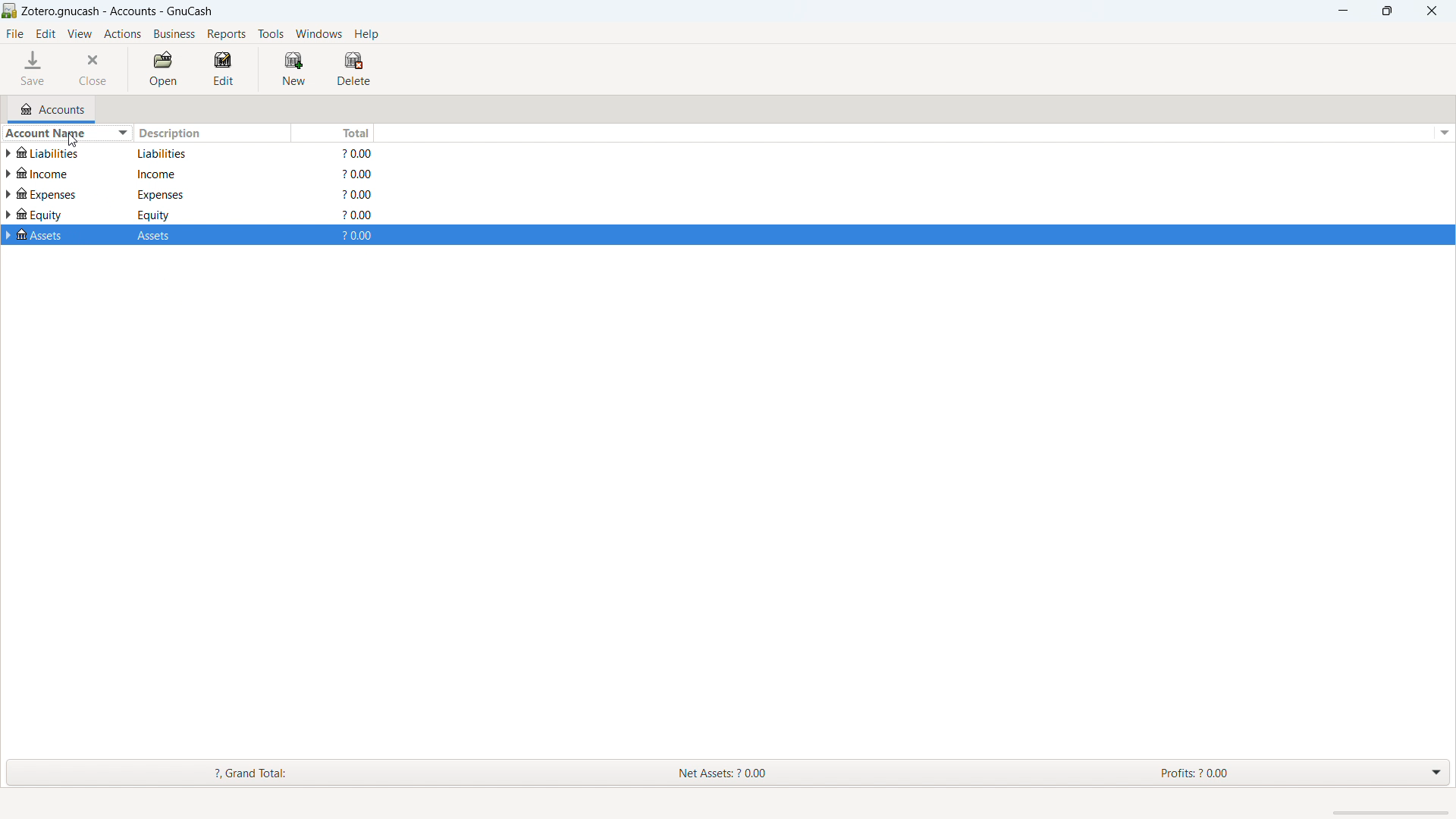  Describe the element at coordinates (206, 196) in the screenshot. I see `account details of expenses` at that location.